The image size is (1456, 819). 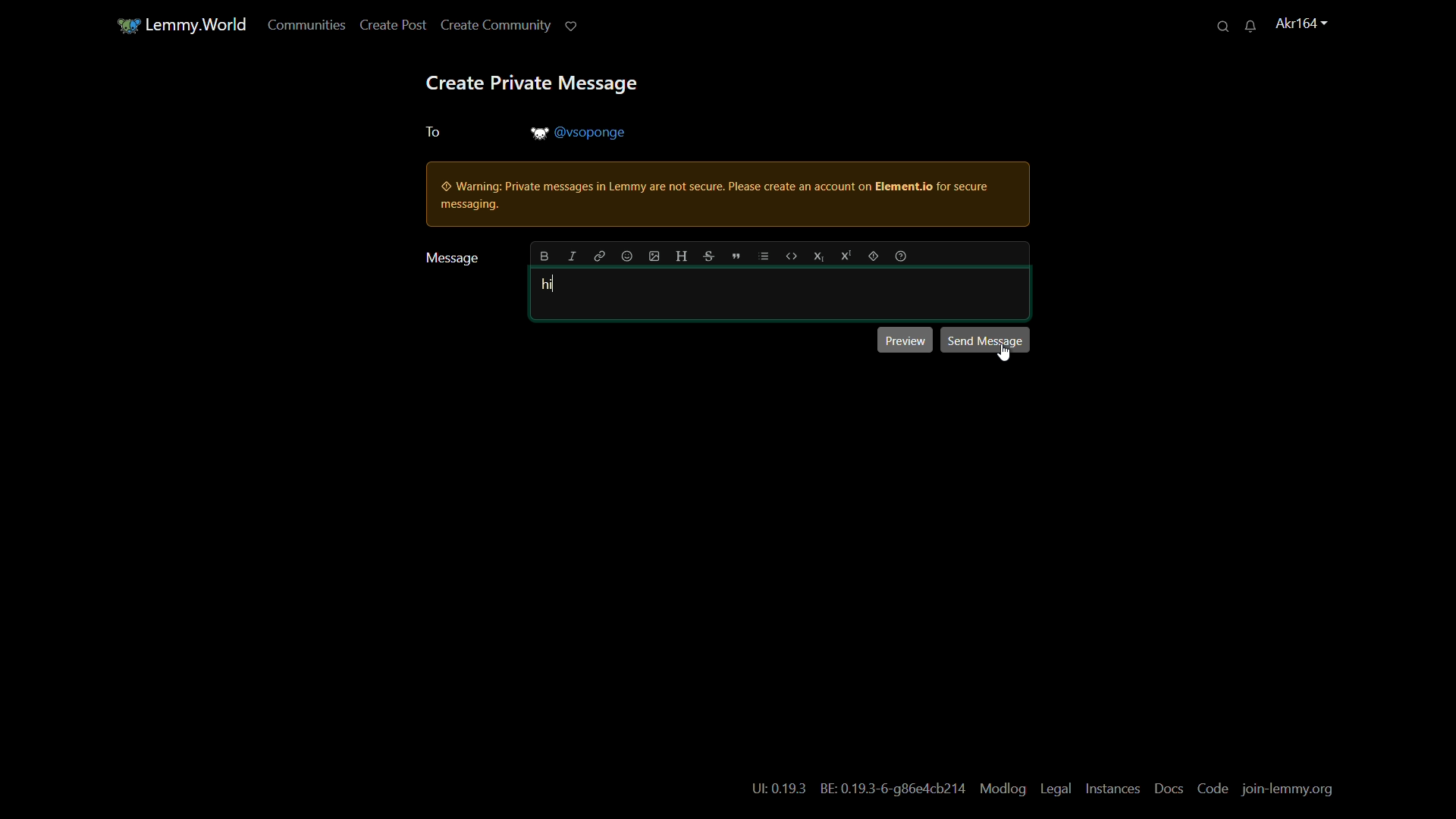 I want to click on create community, so click(x=488, y=27).